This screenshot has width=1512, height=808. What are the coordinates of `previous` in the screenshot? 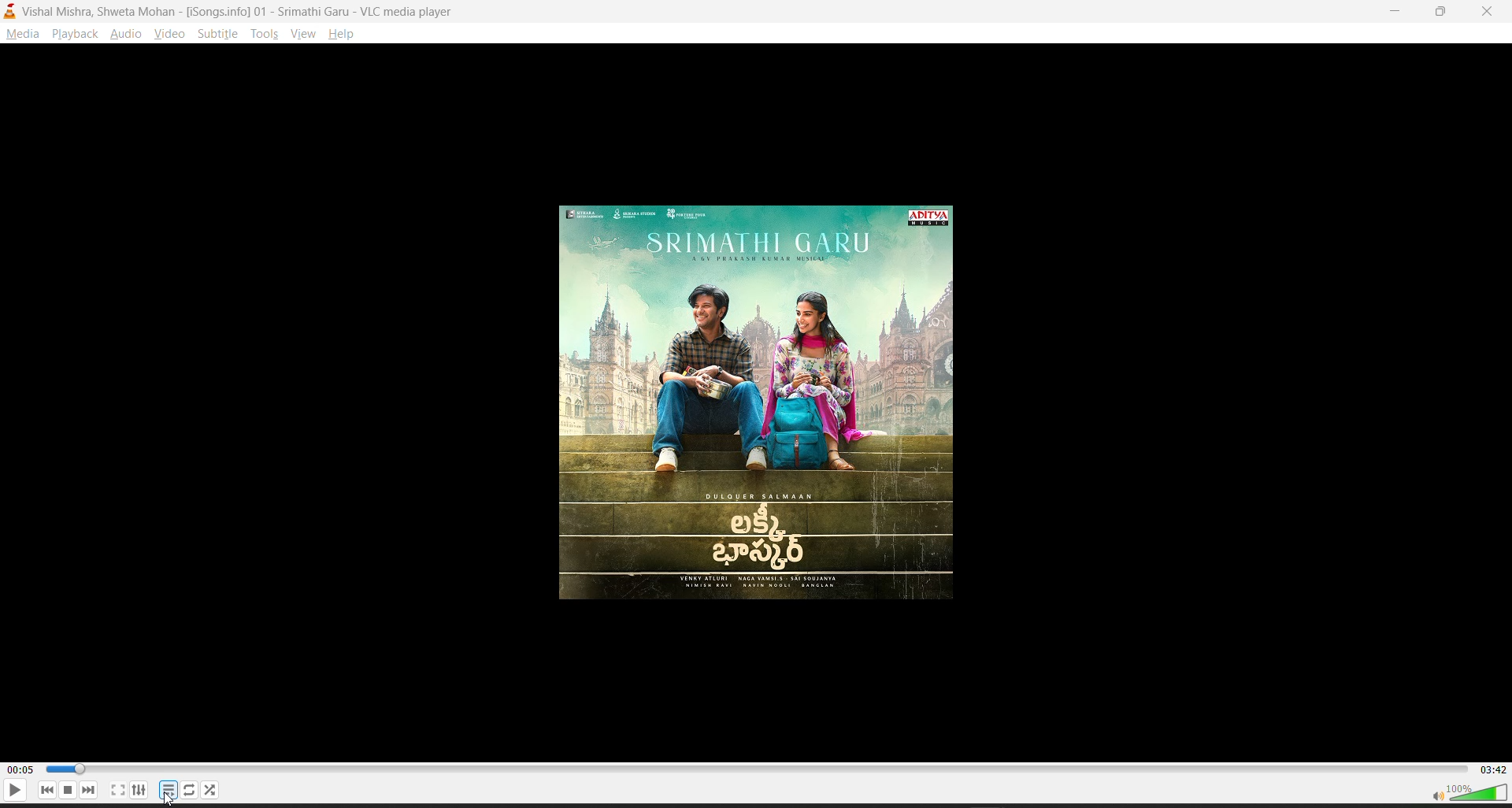 It's located at (47, 791).